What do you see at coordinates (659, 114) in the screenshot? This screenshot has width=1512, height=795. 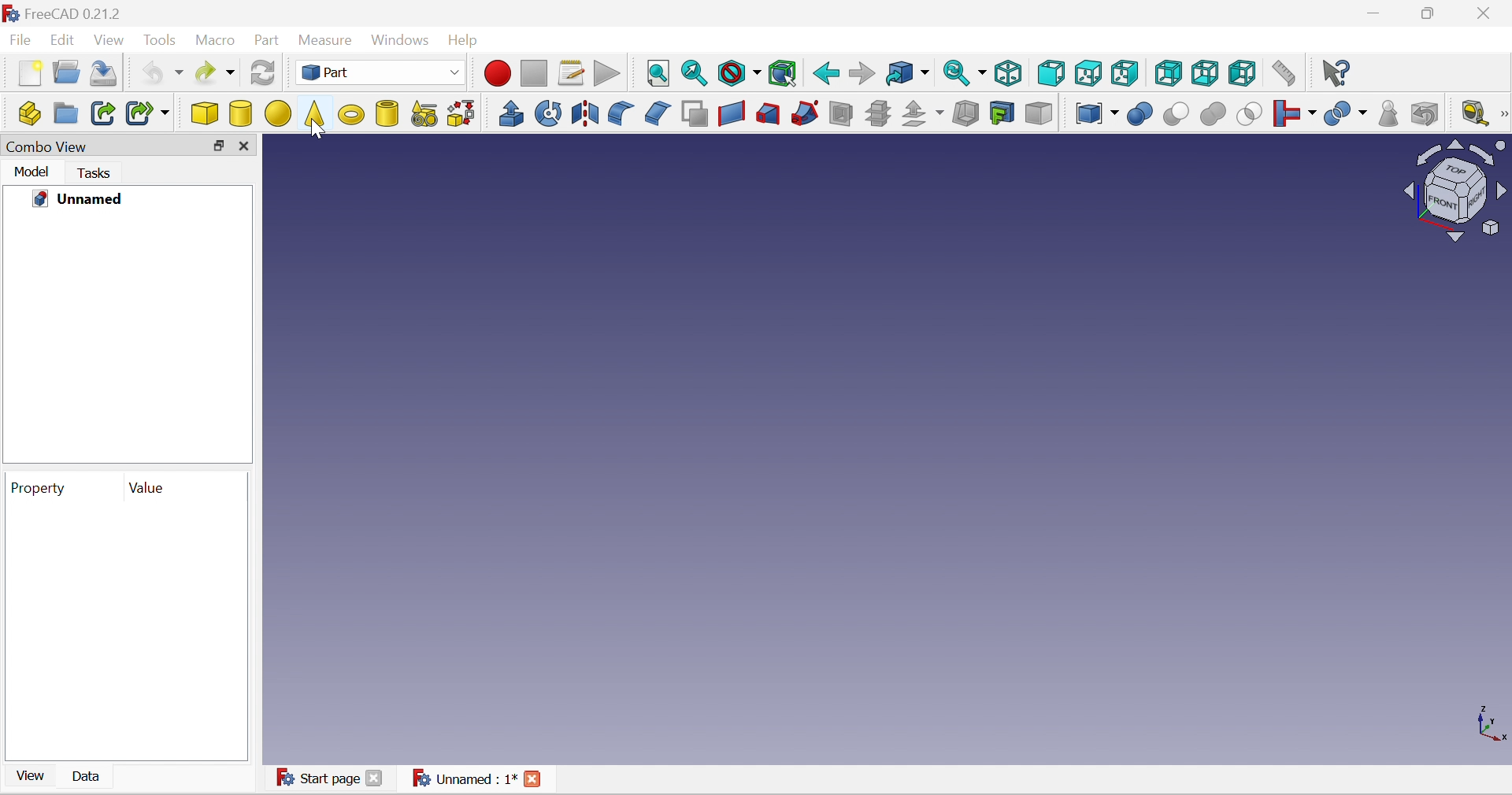 I see `Chamfer` at bounding box center [659, 114].